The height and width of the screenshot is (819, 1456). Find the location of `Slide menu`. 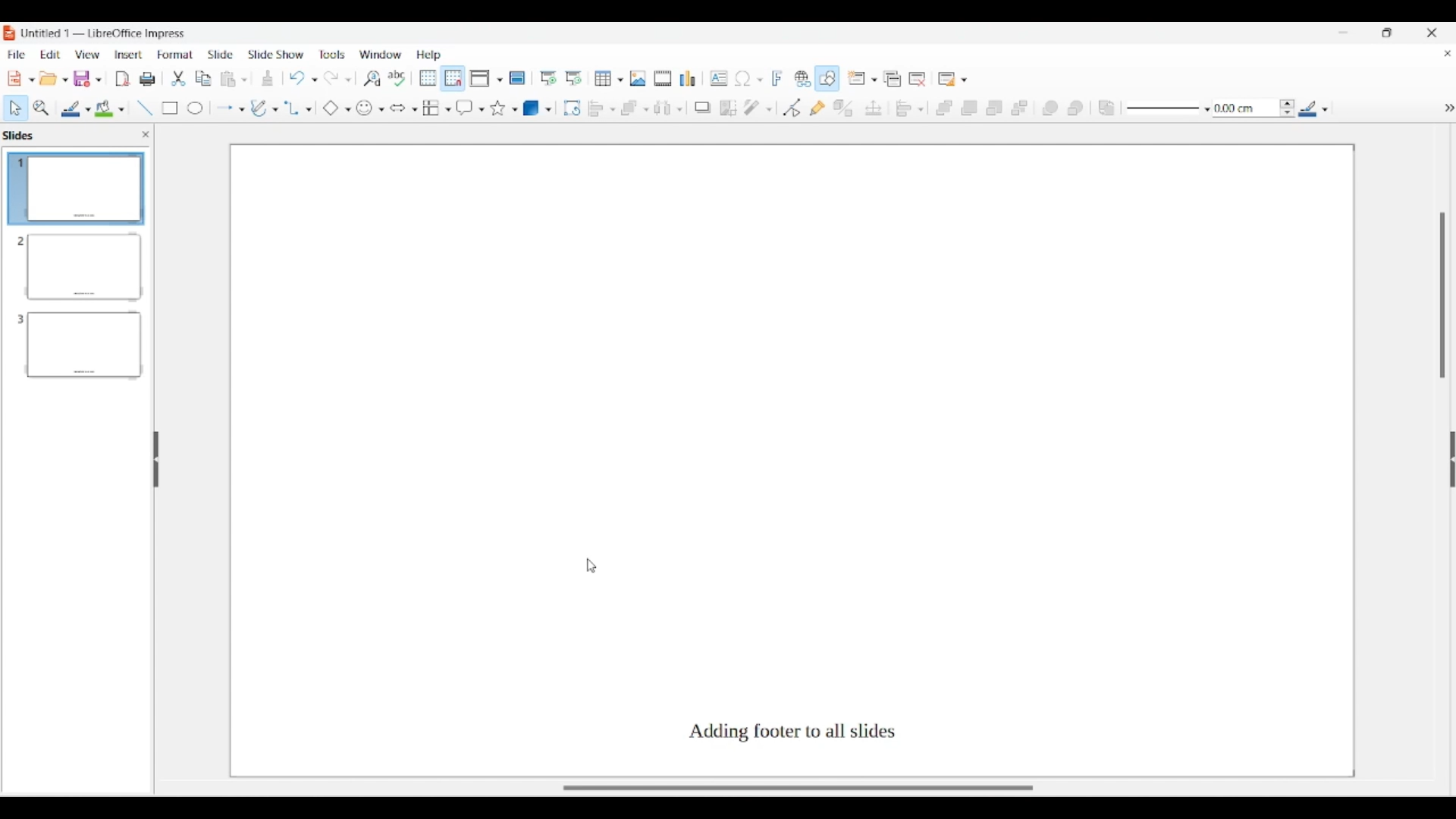

Slide menu is located at coordinates (221, 55).